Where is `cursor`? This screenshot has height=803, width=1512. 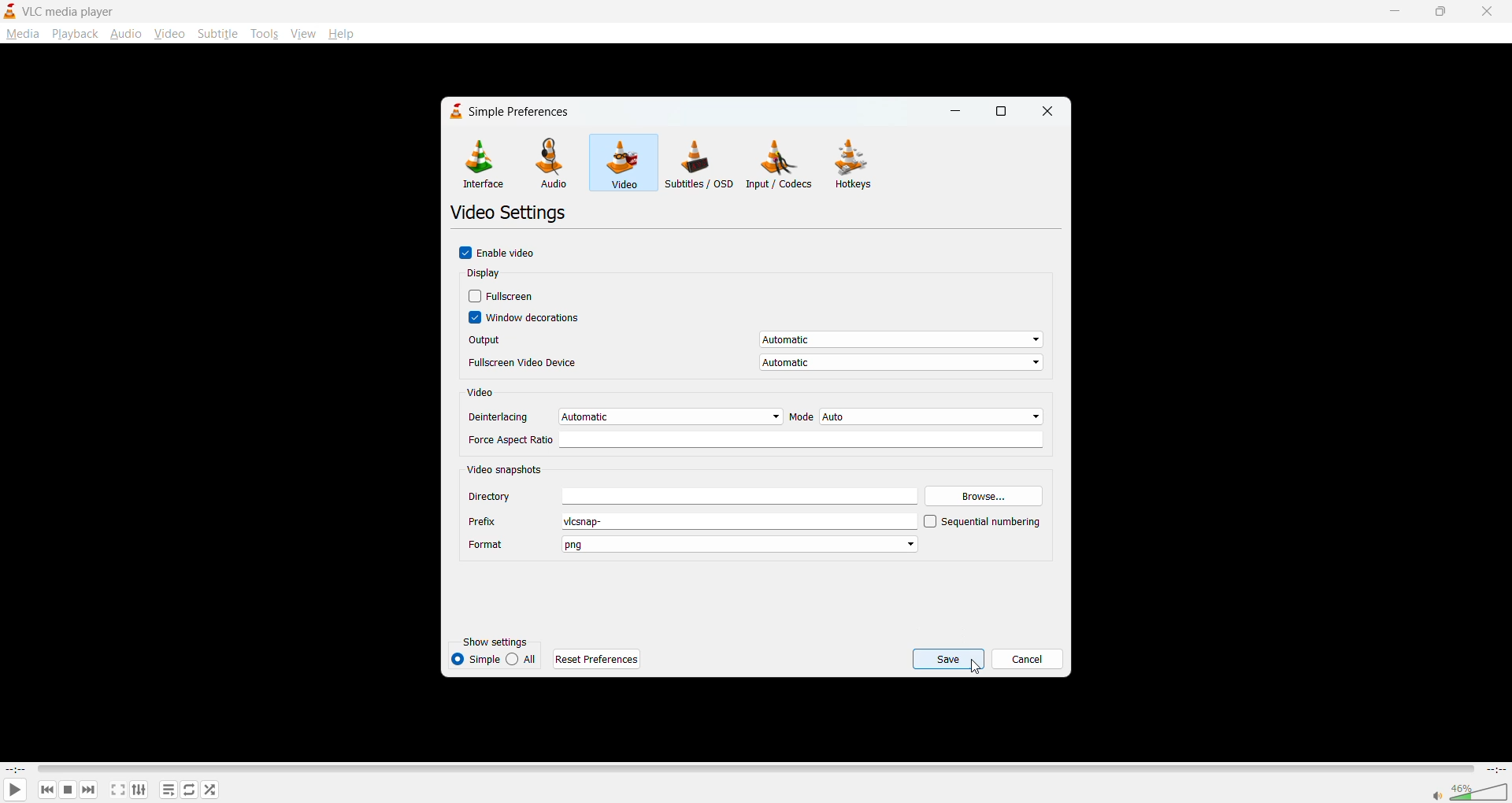 cursor is located at coordinates (976, 668).